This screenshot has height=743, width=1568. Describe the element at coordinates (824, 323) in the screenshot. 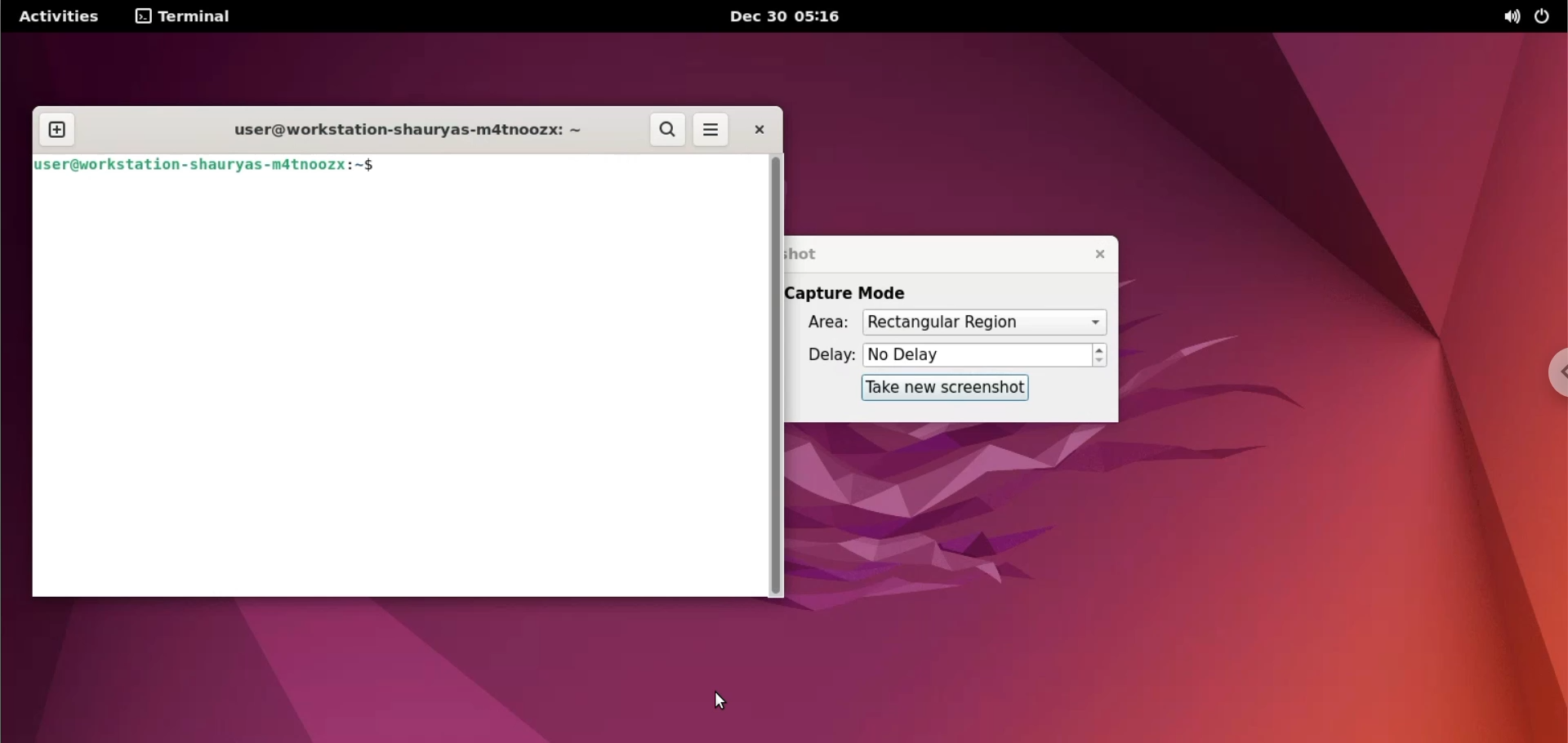

I see `area:` at that location.